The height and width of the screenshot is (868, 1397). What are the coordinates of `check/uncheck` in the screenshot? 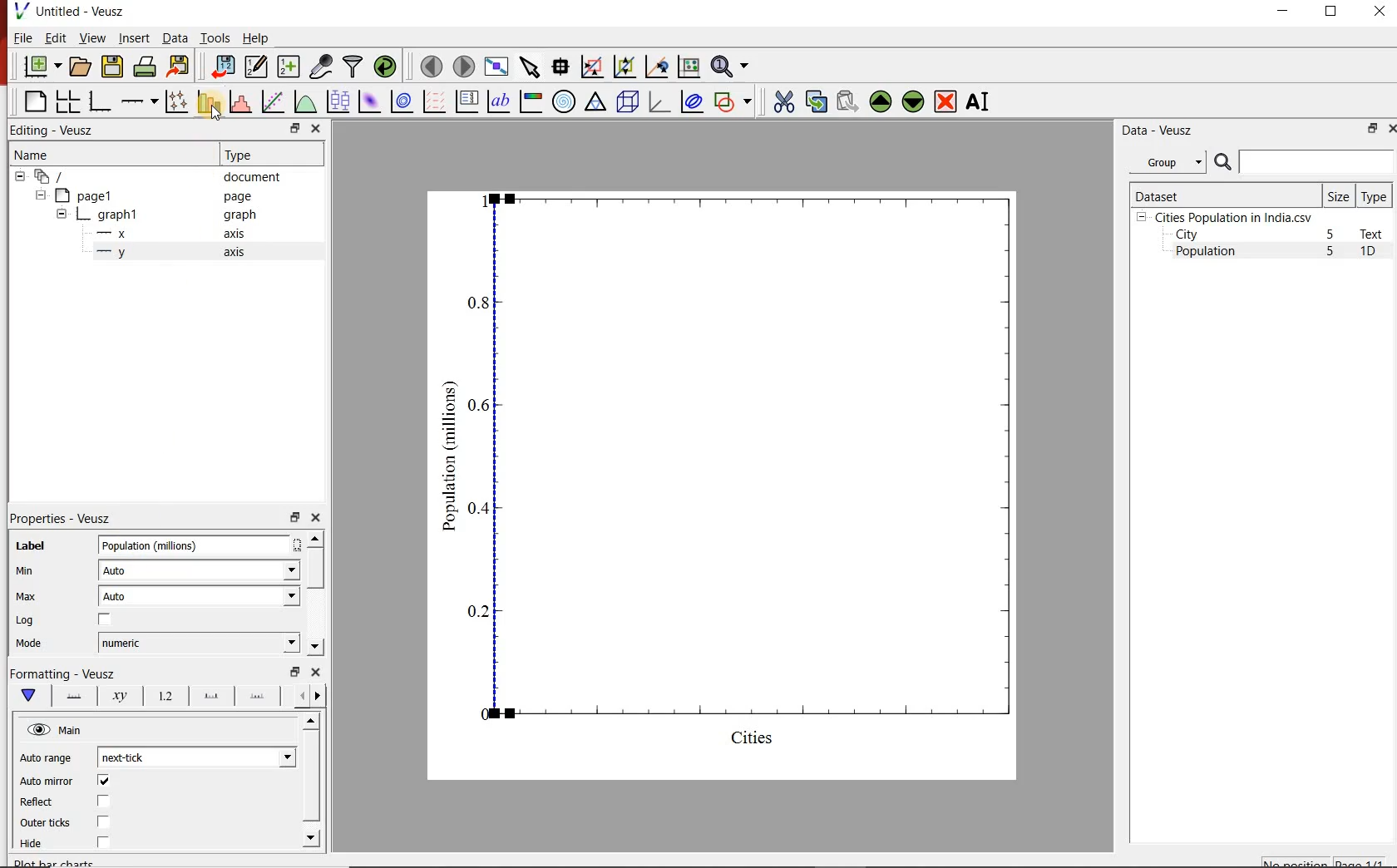 It's located at (104, 801).